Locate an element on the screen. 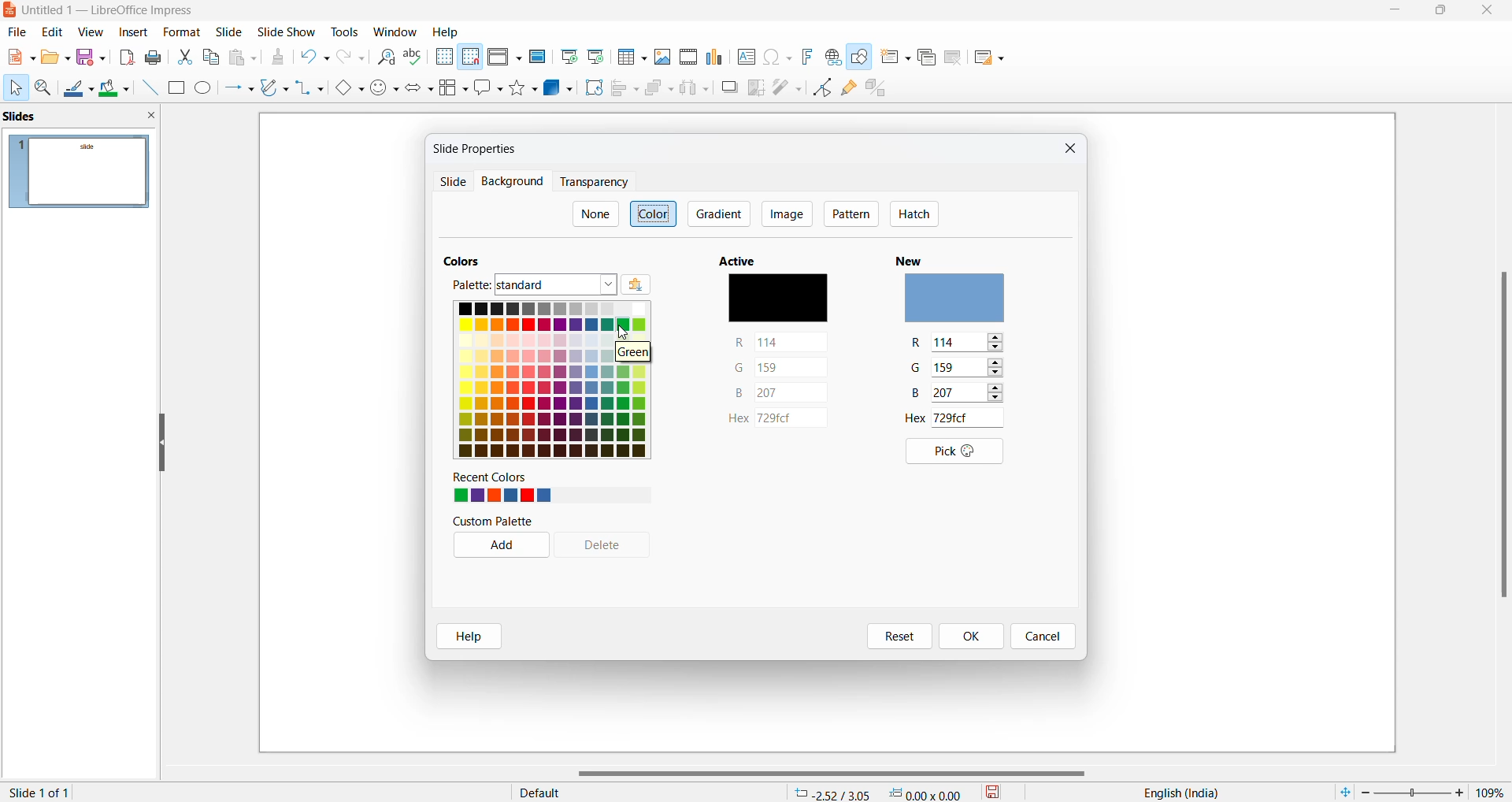 This screenshot has height=802, width=1512. resize is located at coordinates (161, 444).